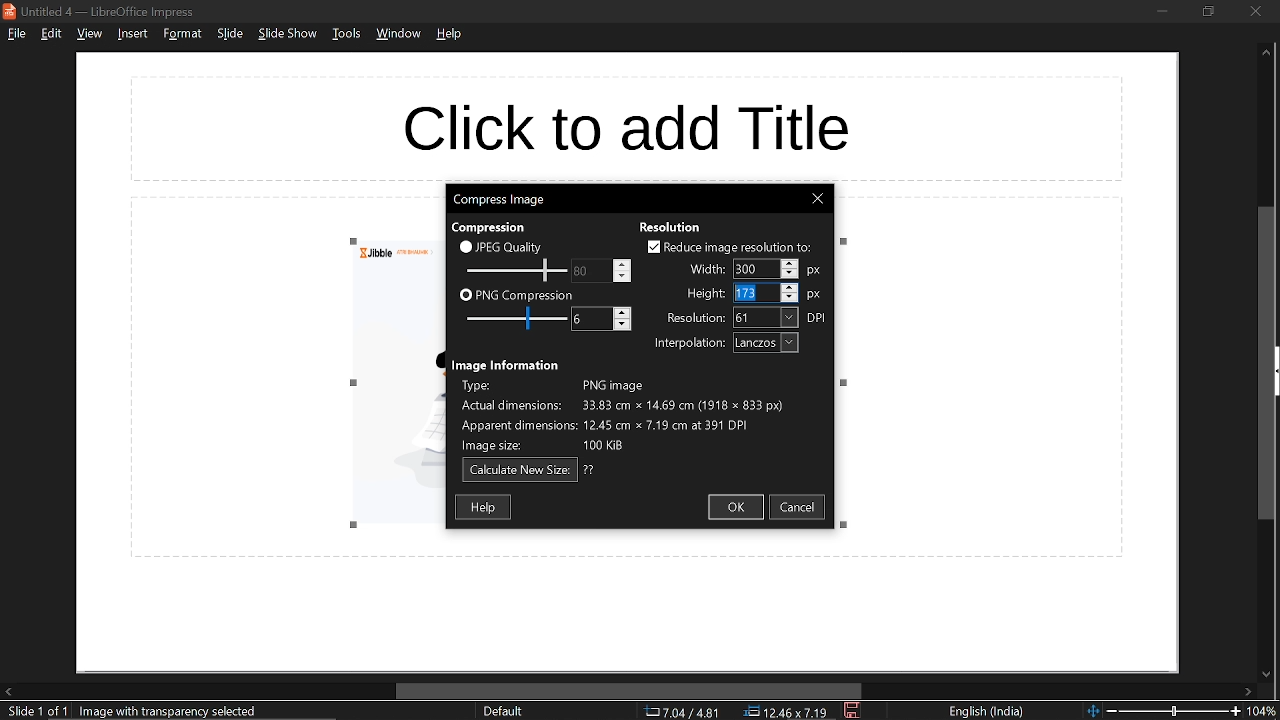 The height and width of the screenshot is (720, 1280). I want to click on close, so click(1257, 11).